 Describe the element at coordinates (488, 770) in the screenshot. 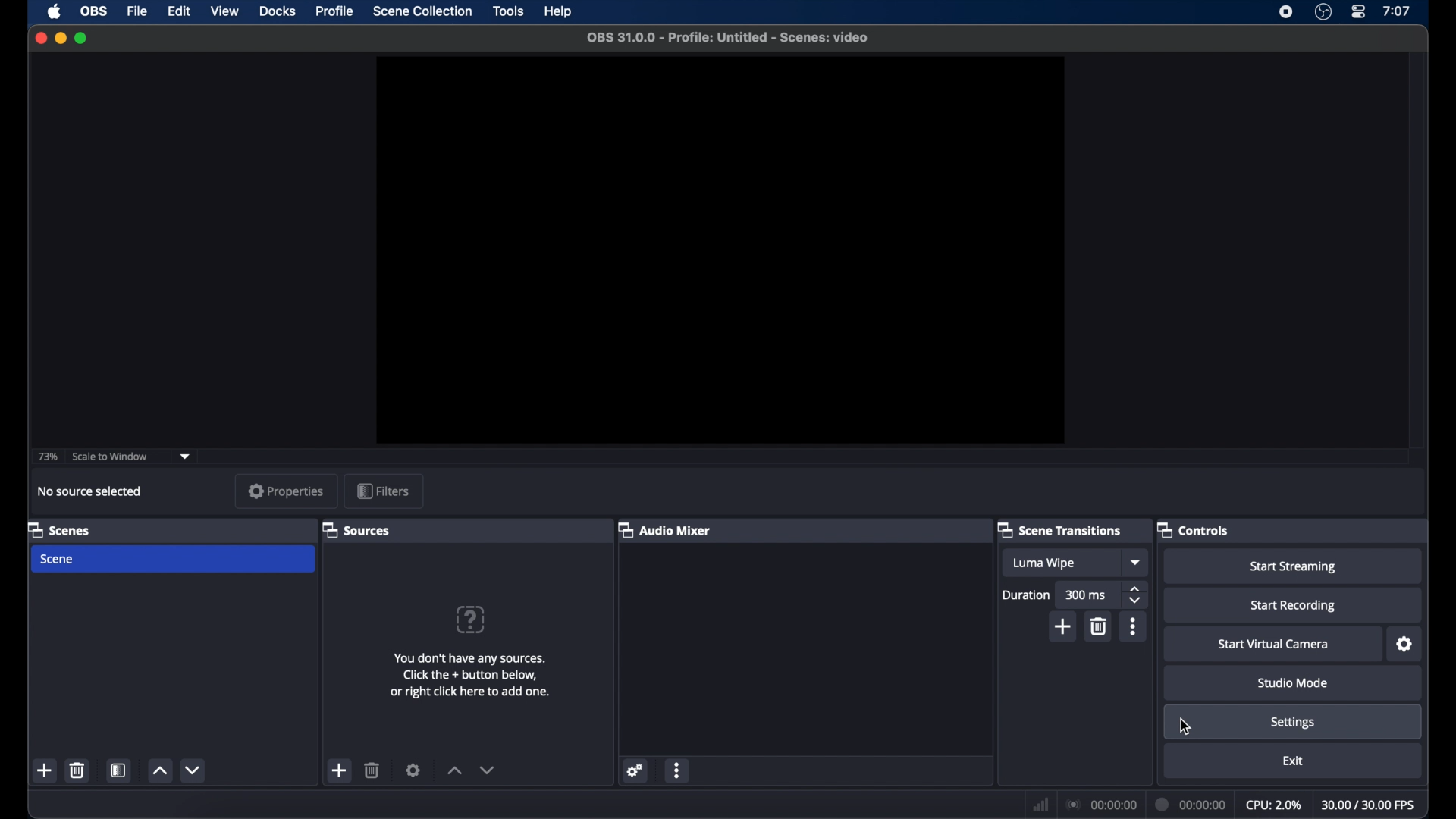

I see `decrement` at that location.